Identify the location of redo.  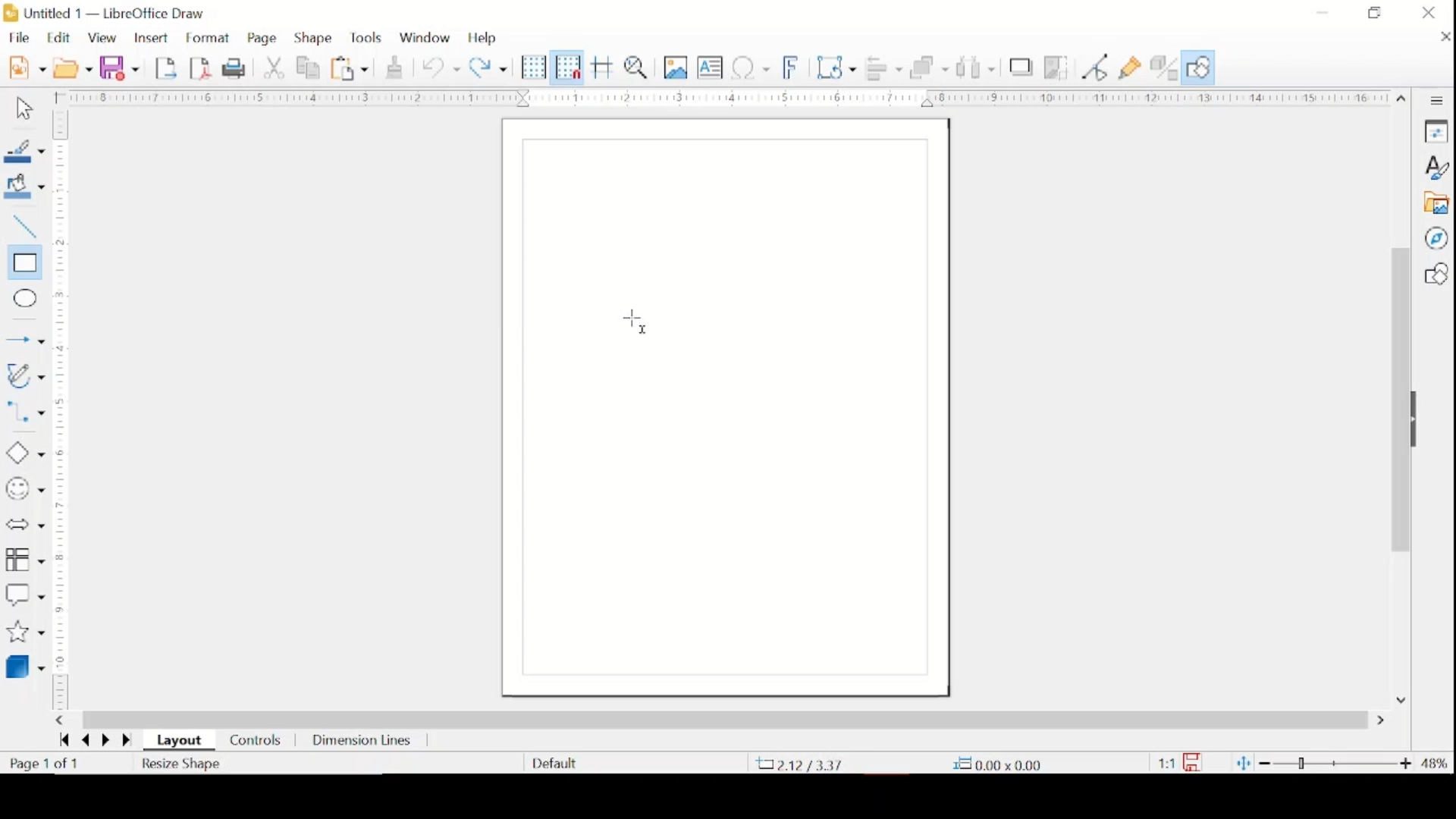
(488, 66).